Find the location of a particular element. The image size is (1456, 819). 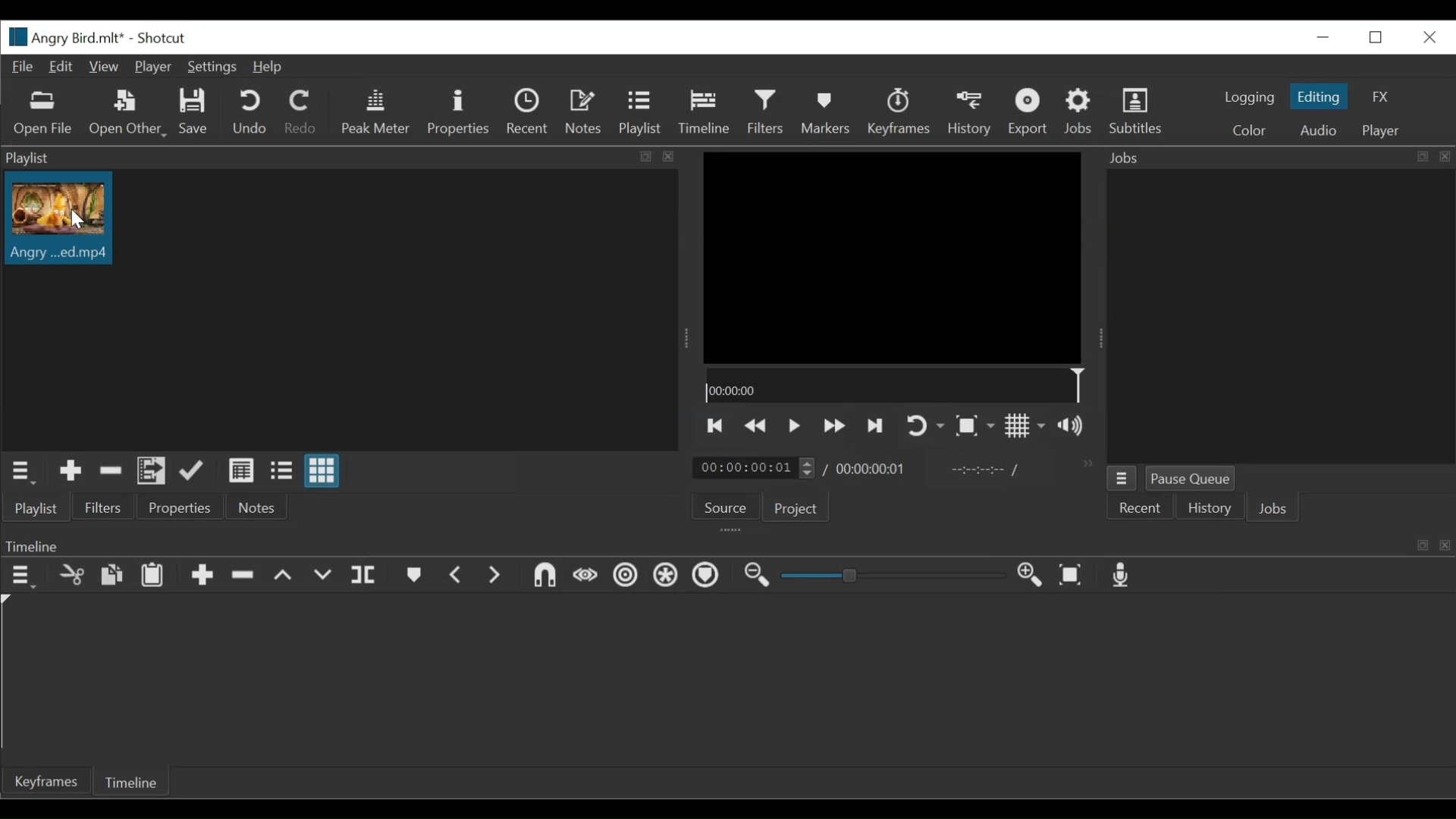

Toggle player looping is located at coordinates (924, 426).